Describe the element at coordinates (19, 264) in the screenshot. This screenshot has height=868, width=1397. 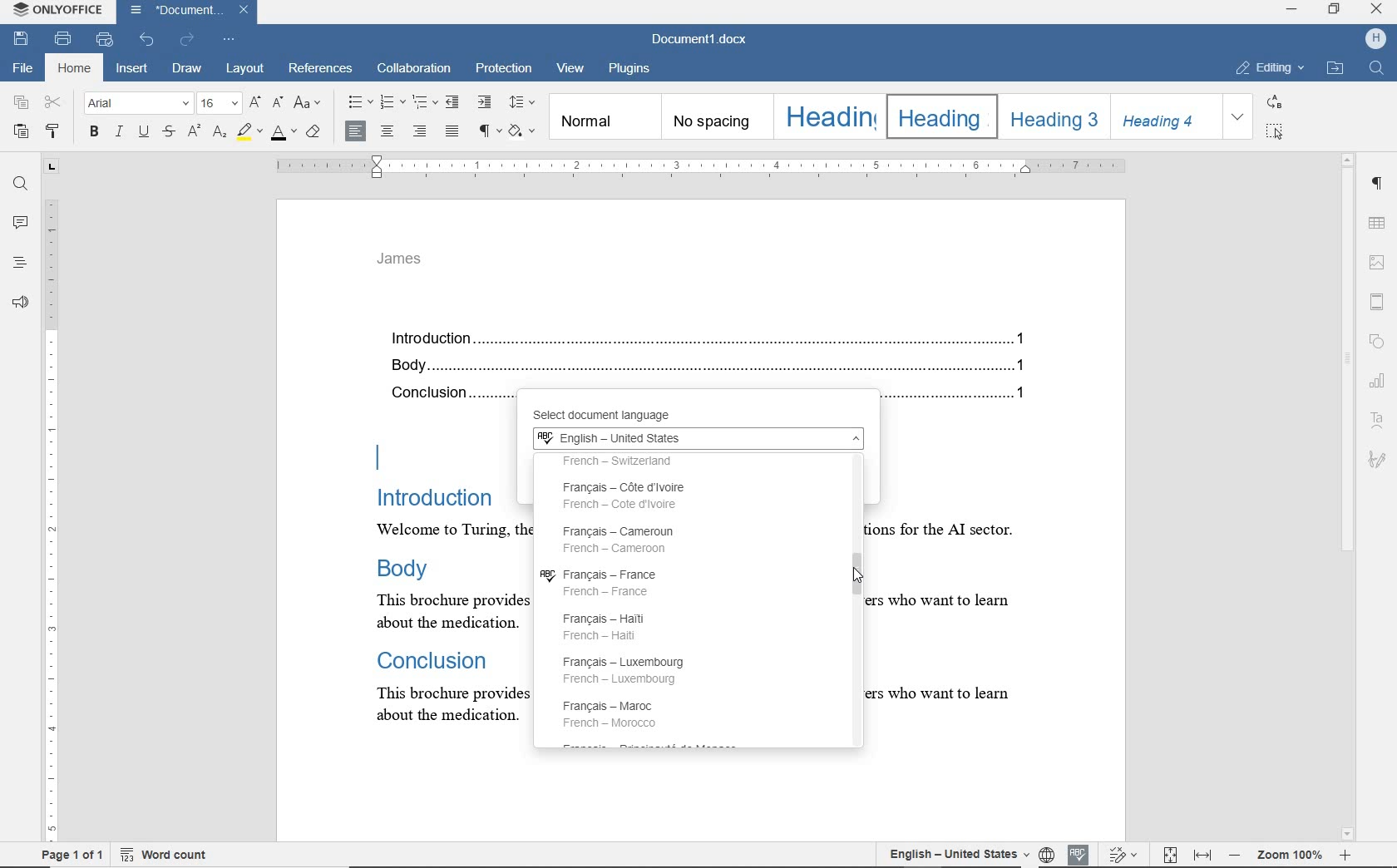
I see `headings` at that location.